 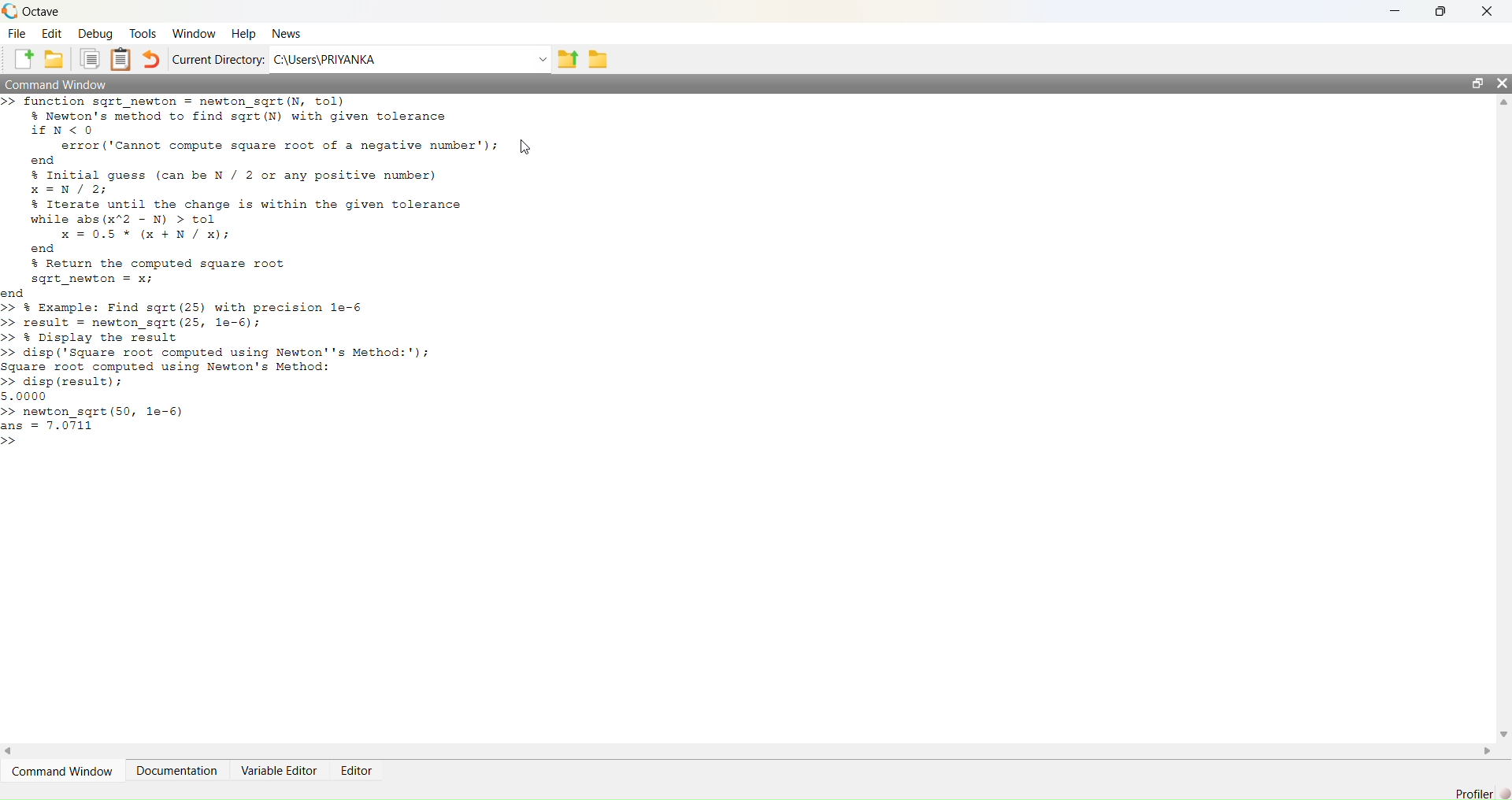 I want to click on Close, so click(x=1499, y=85).